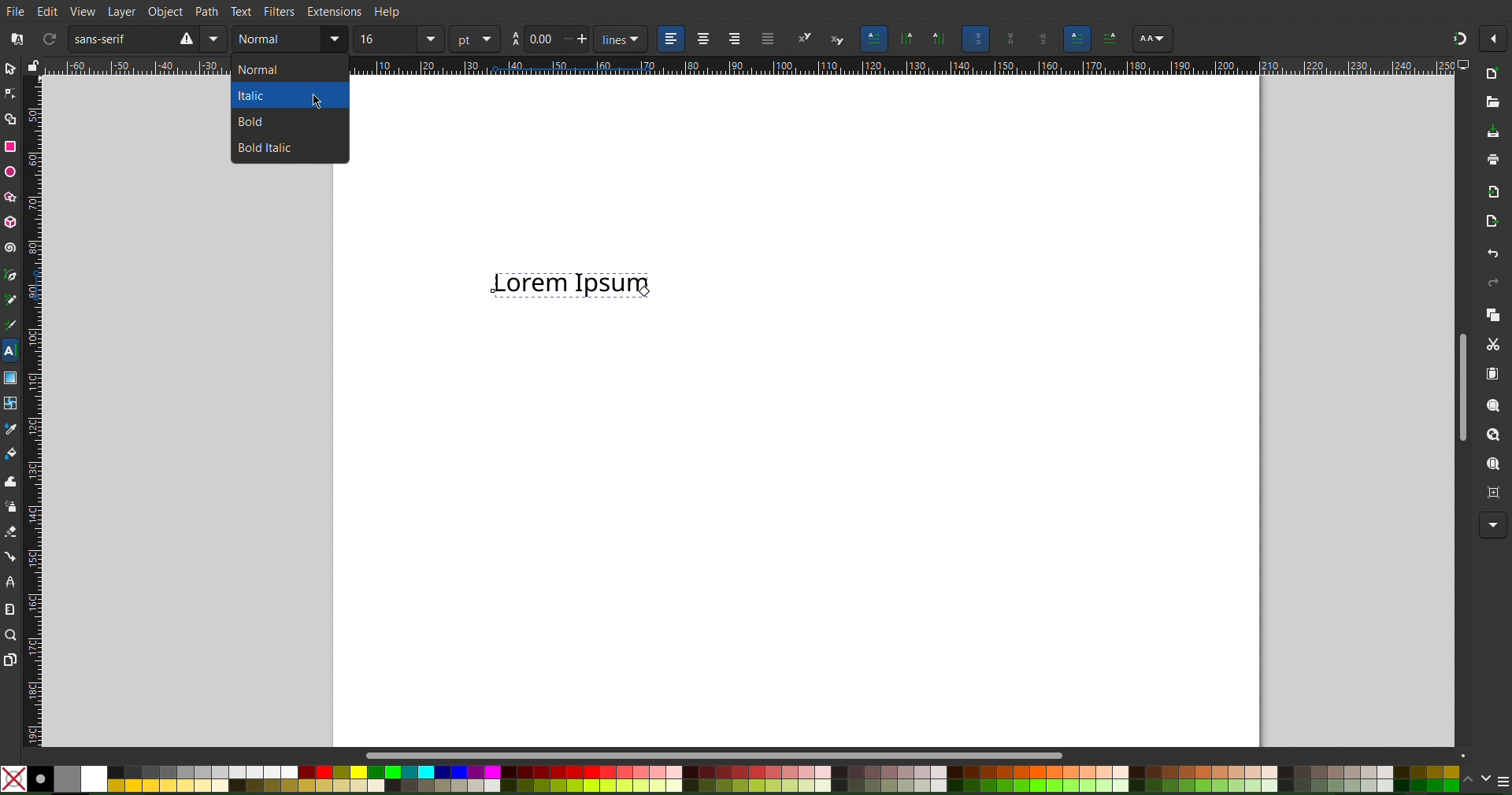  Describe the element at coordinates (287, 68) in the screenshot. I see `normal` at that location.